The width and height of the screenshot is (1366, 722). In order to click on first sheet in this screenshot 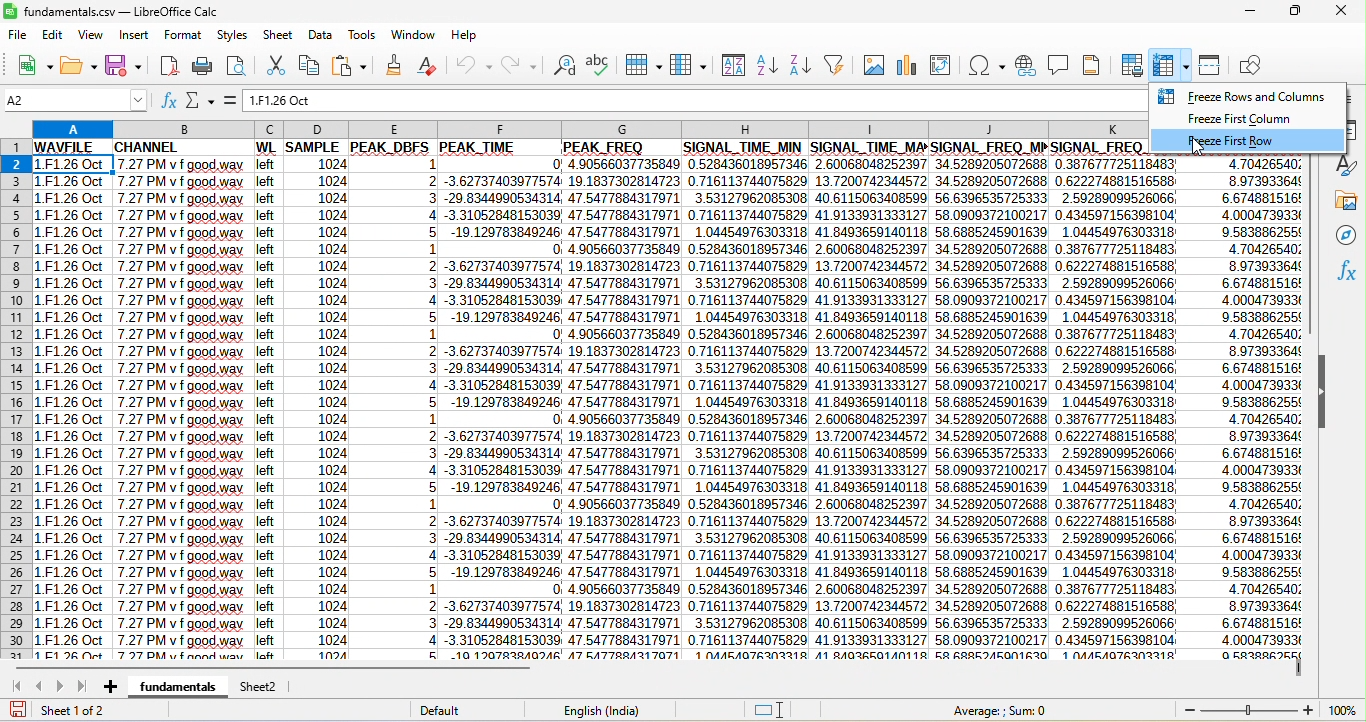, I will do `click(18, 686)`.